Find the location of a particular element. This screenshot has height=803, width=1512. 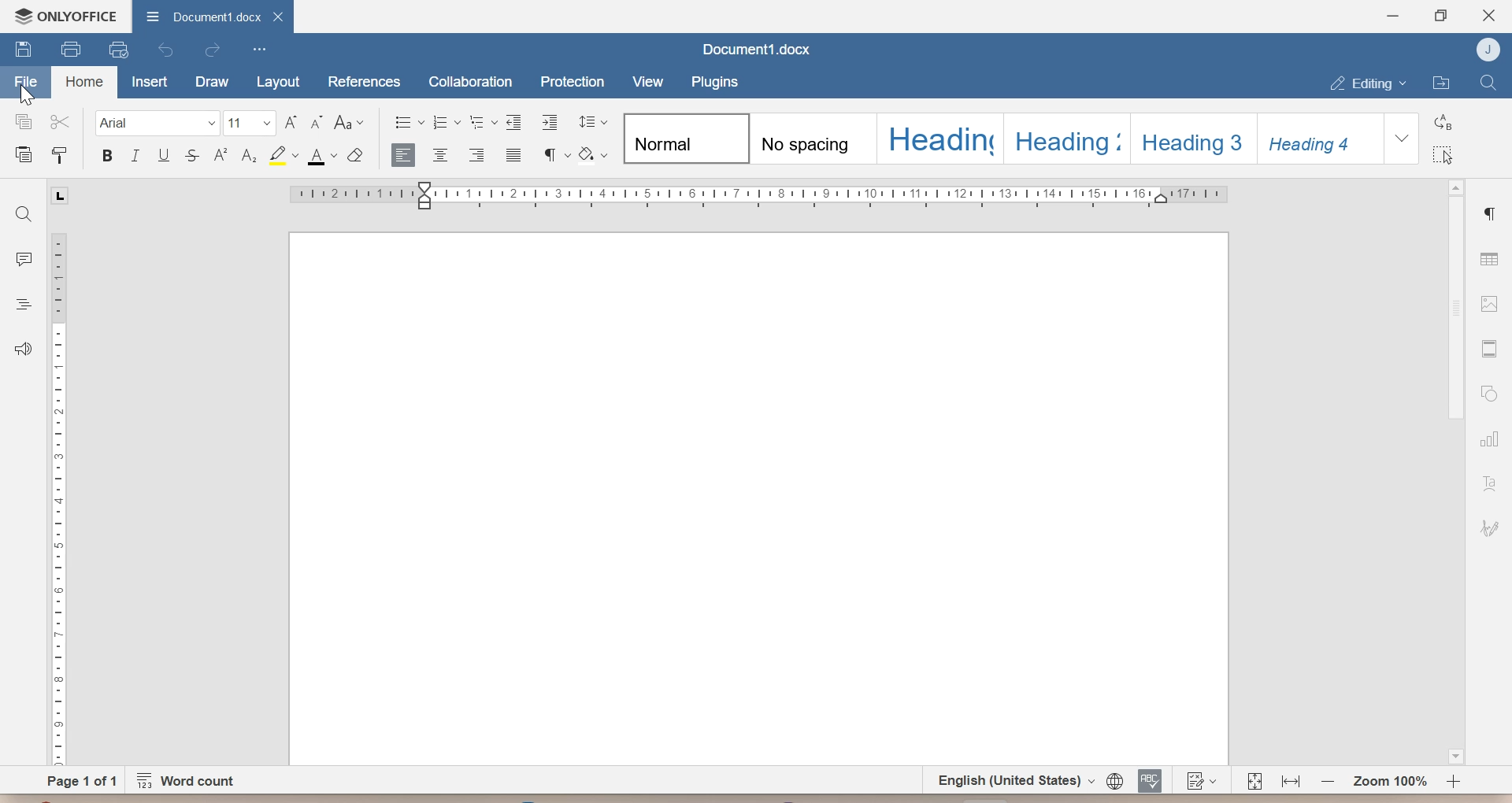

Justified is located at coordinates (513, 156).